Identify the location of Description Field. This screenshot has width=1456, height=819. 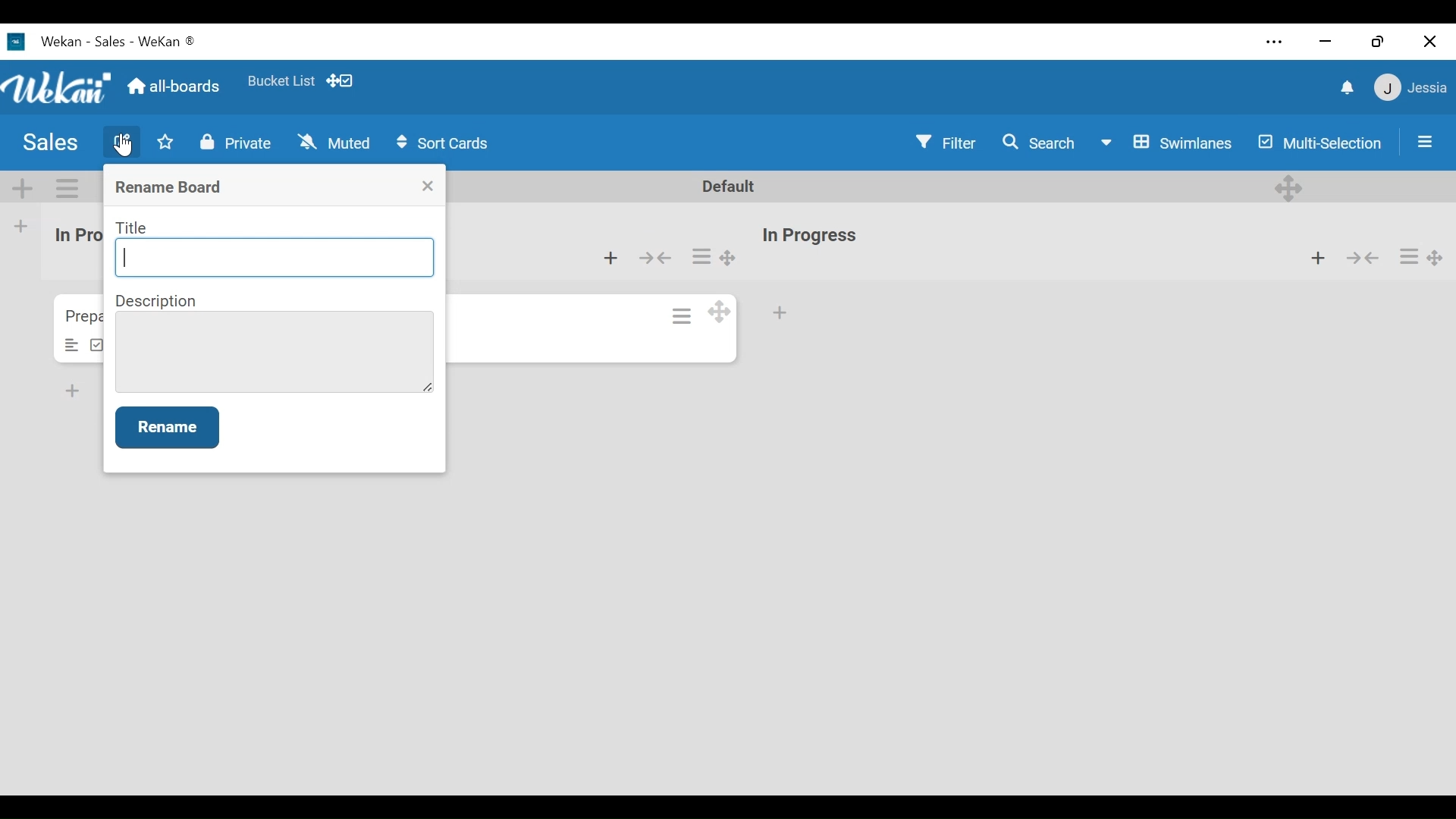
(274, 352).